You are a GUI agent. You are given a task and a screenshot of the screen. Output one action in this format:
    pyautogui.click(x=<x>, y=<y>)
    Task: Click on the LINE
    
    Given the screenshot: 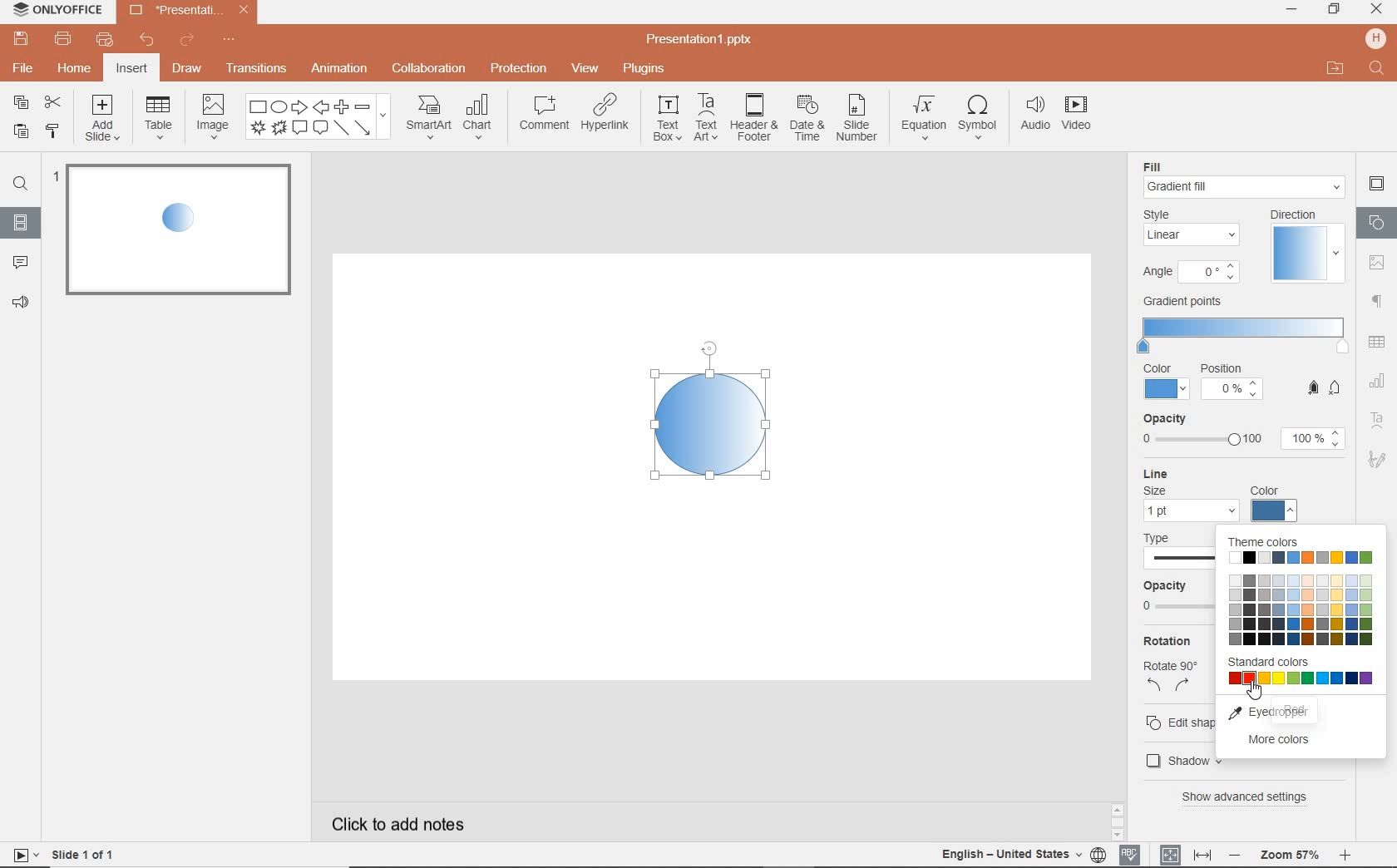 What is the action you would take?
    pyautogui.click(x=1227, y=474)
    